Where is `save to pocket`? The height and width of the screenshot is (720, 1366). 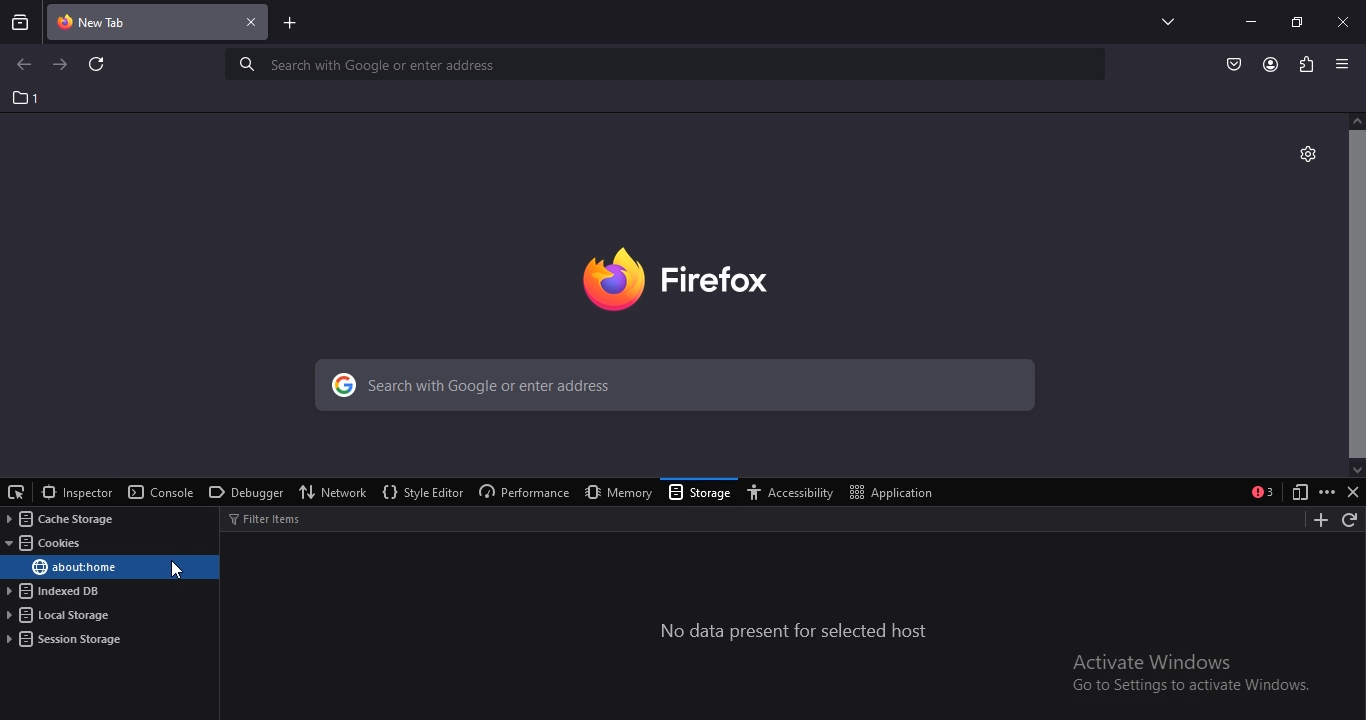
save to pocket is located at coordinates (1235, 63).